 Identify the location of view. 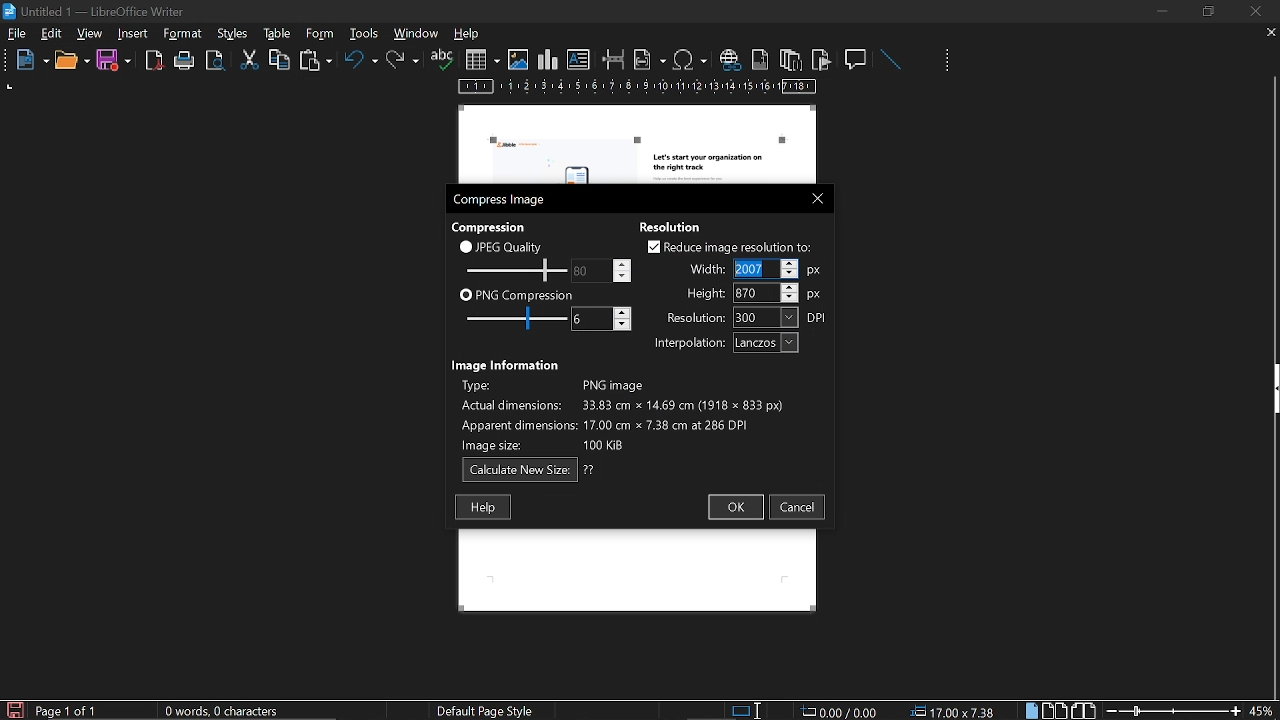
(91, 33).